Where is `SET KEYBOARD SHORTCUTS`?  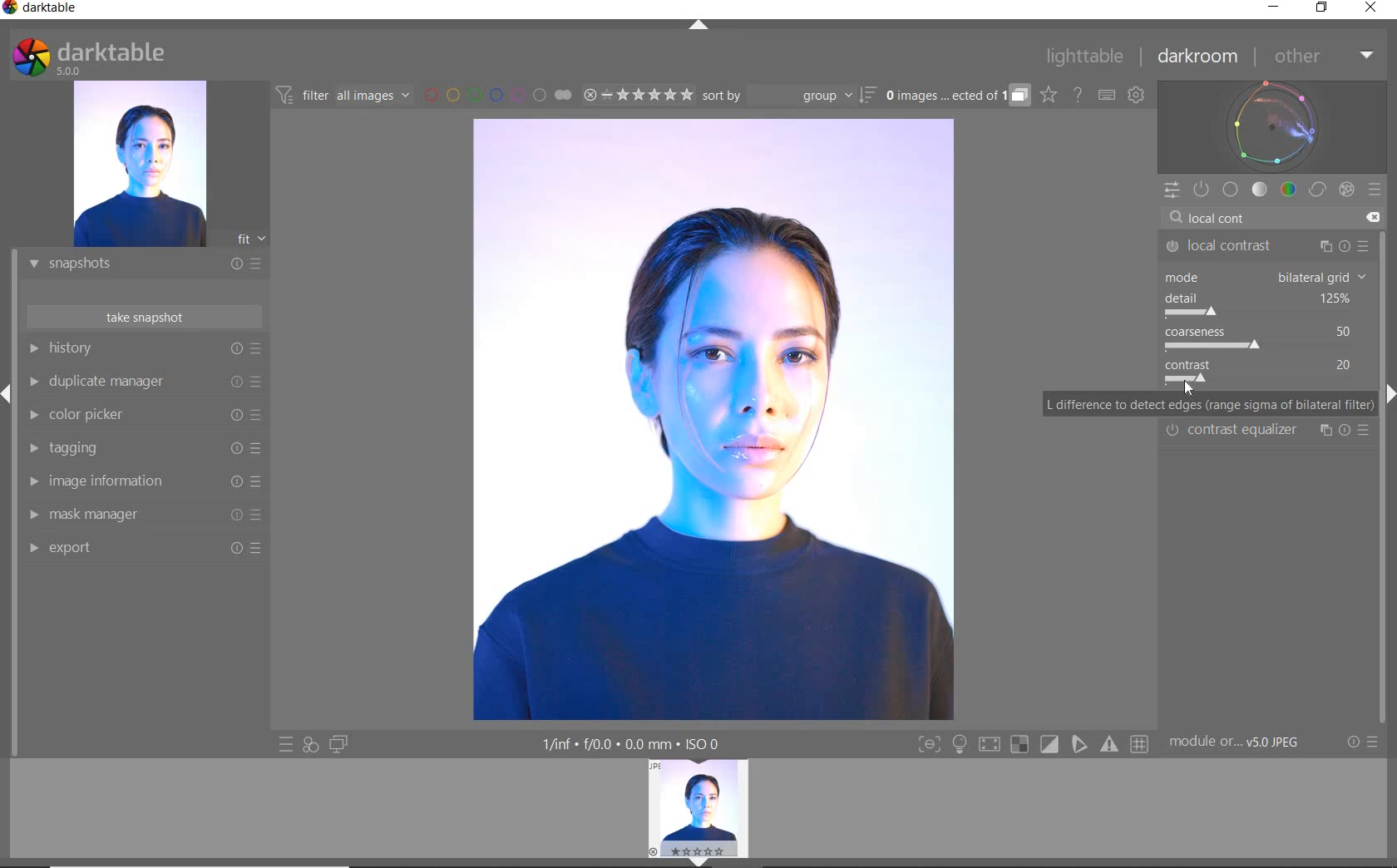
SET KEYBOARD SHORTCUTS is located at coordinates (1107, 95).